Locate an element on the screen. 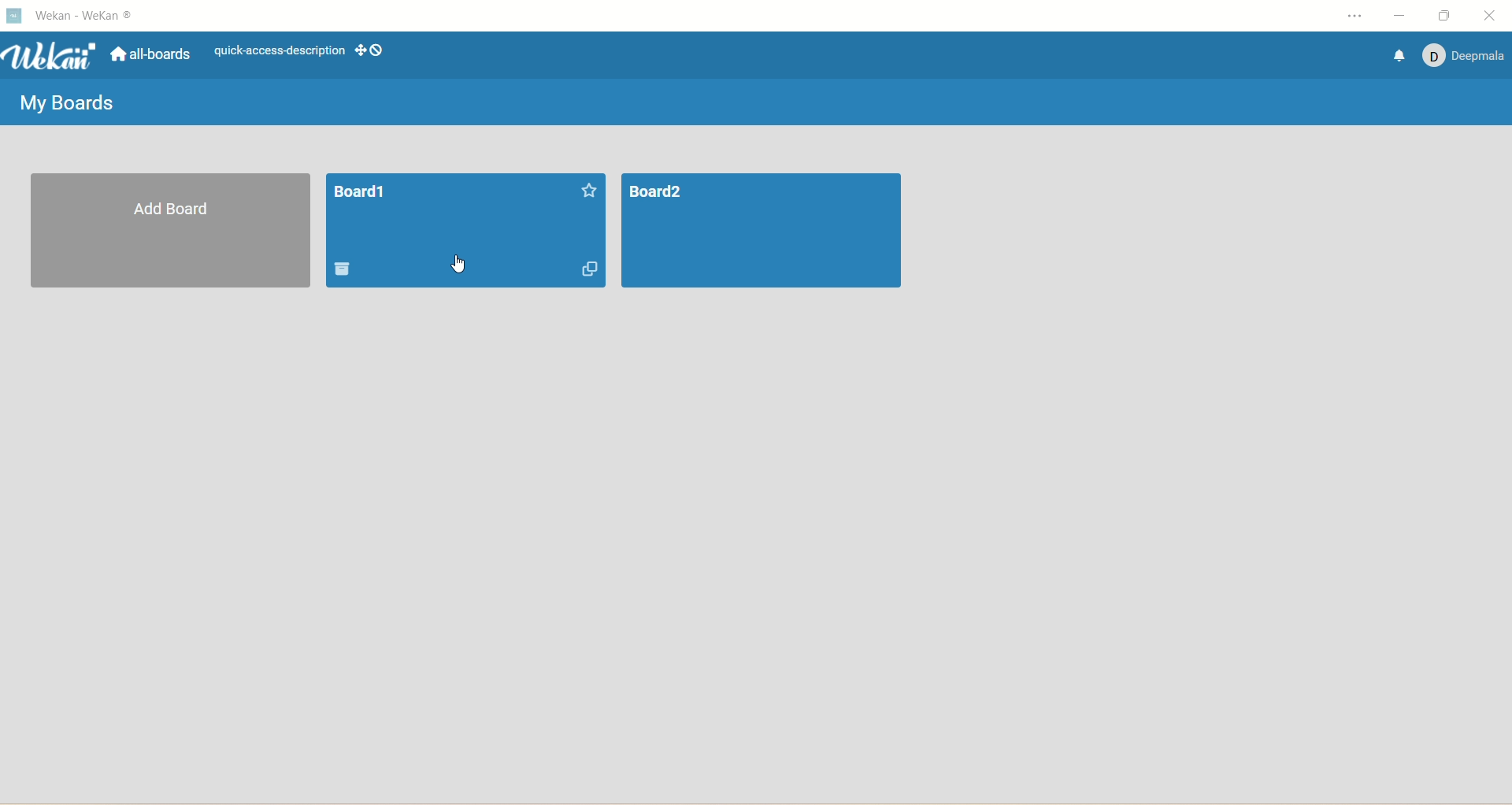 The image size is (1512, 805). notification is located at coordinates (1395, 54).